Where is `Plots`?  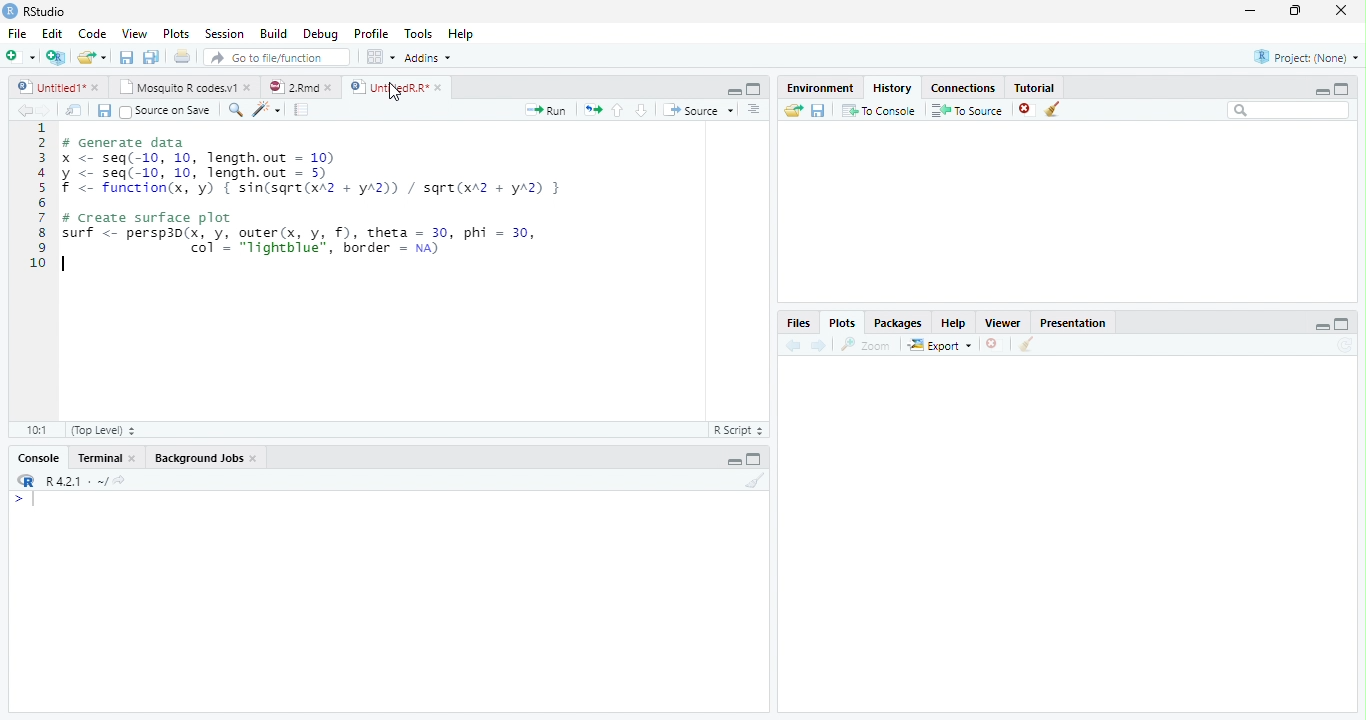
Plots is located at coordinates (843, 322).